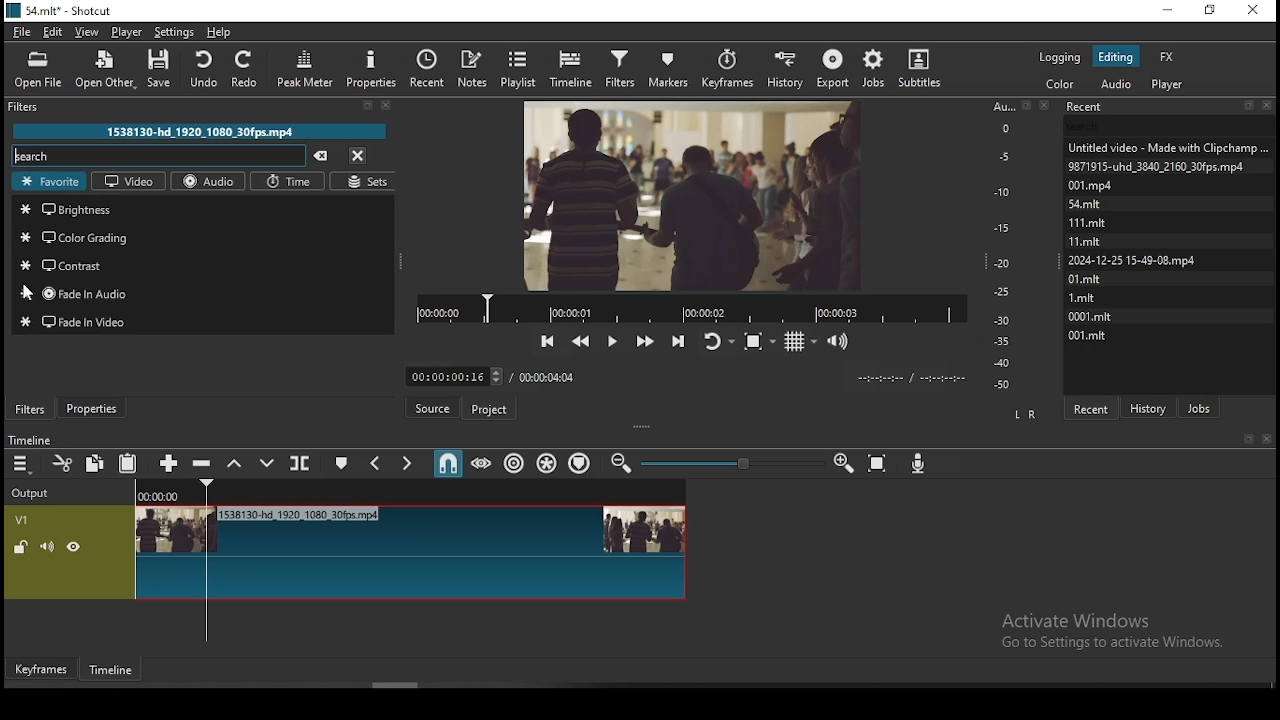 The width and height of the screenshot is (1280, 720). What do you see at coordinates (1062, 55) in the screenshot?
I see `logging` at bounding box center [1062, 55].